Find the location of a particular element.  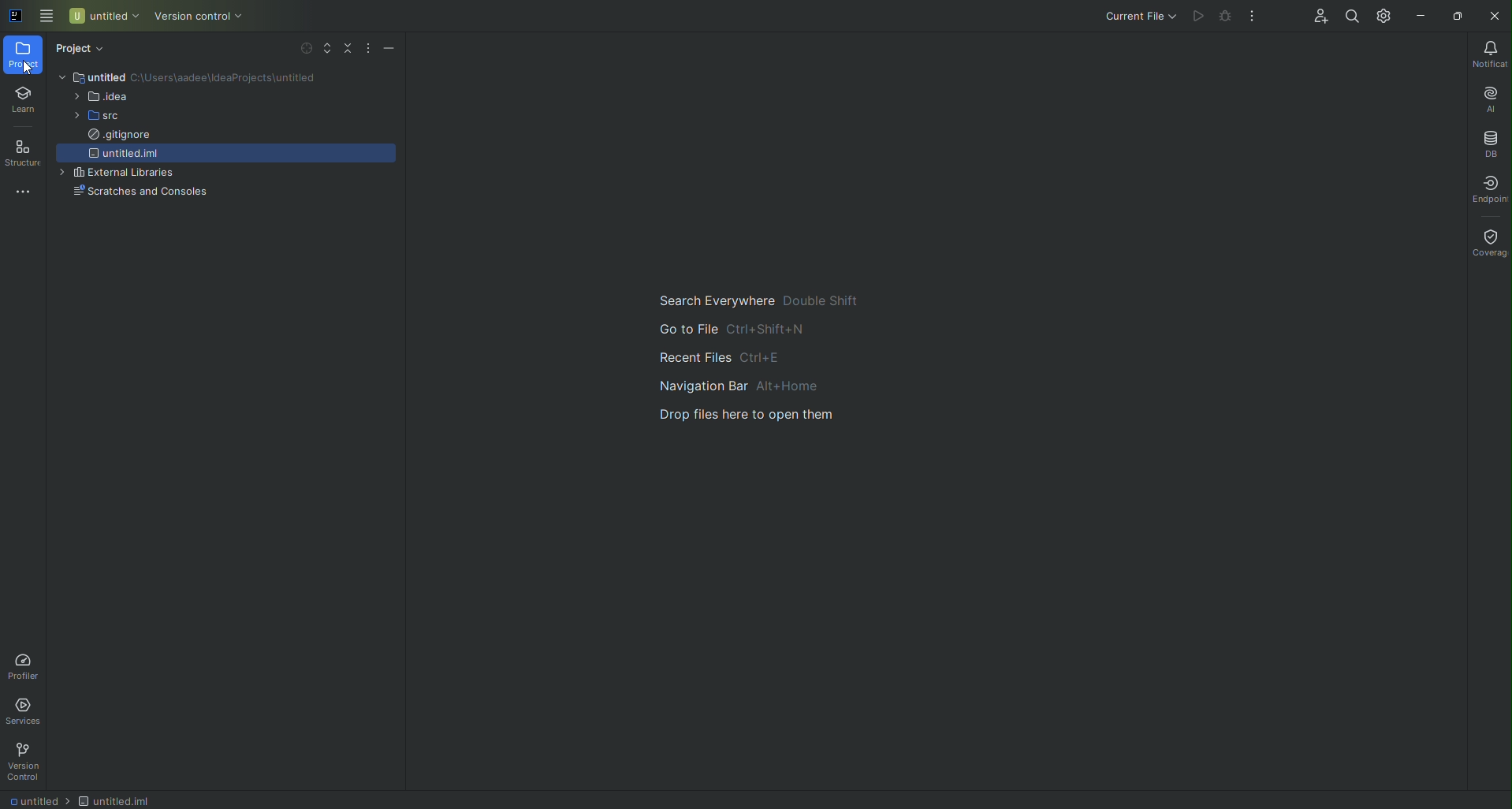

More Tools is located at coordinates (18, 191).